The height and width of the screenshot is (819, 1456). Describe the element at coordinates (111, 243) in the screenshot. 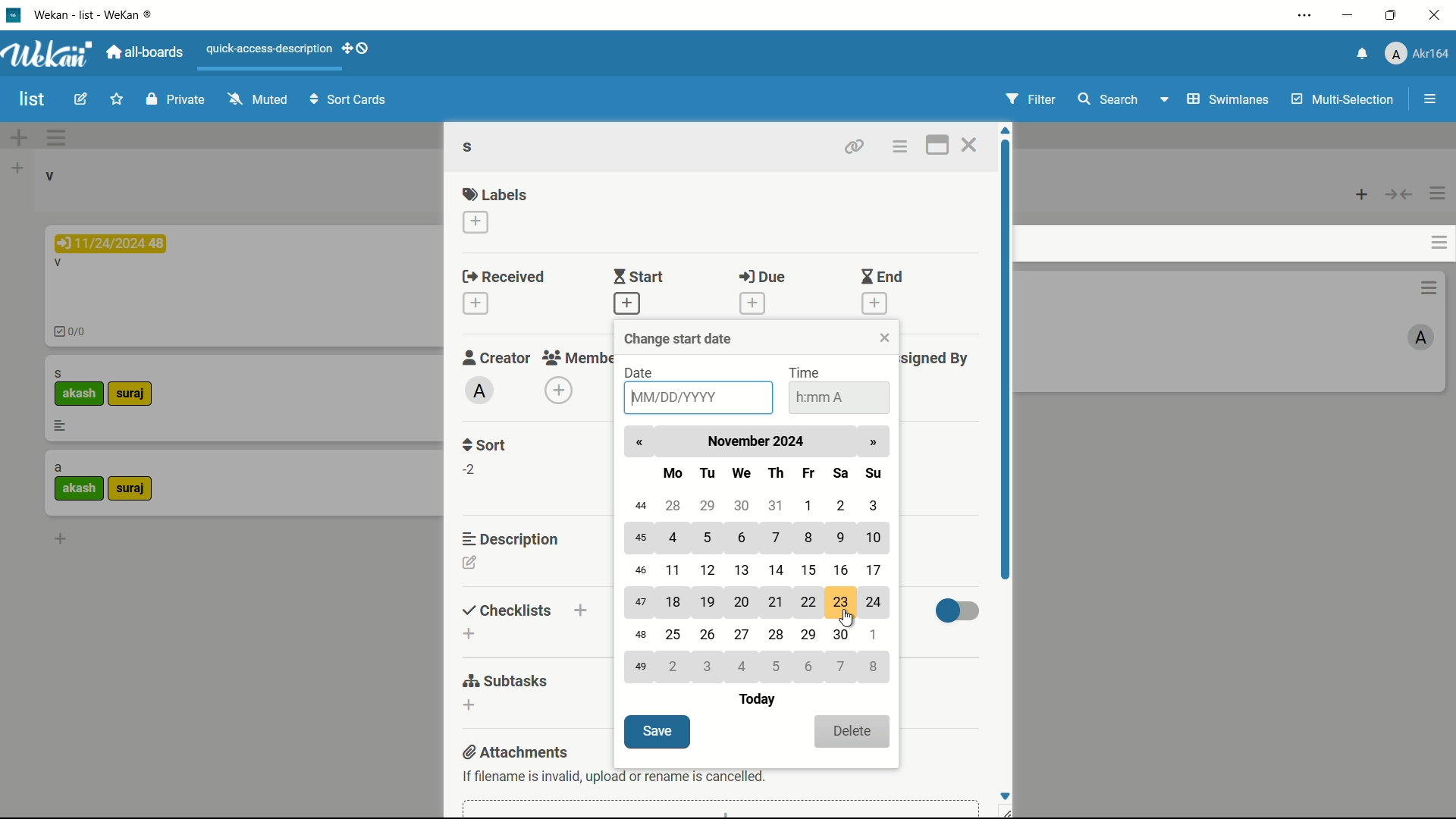

I see `due date` at that location.